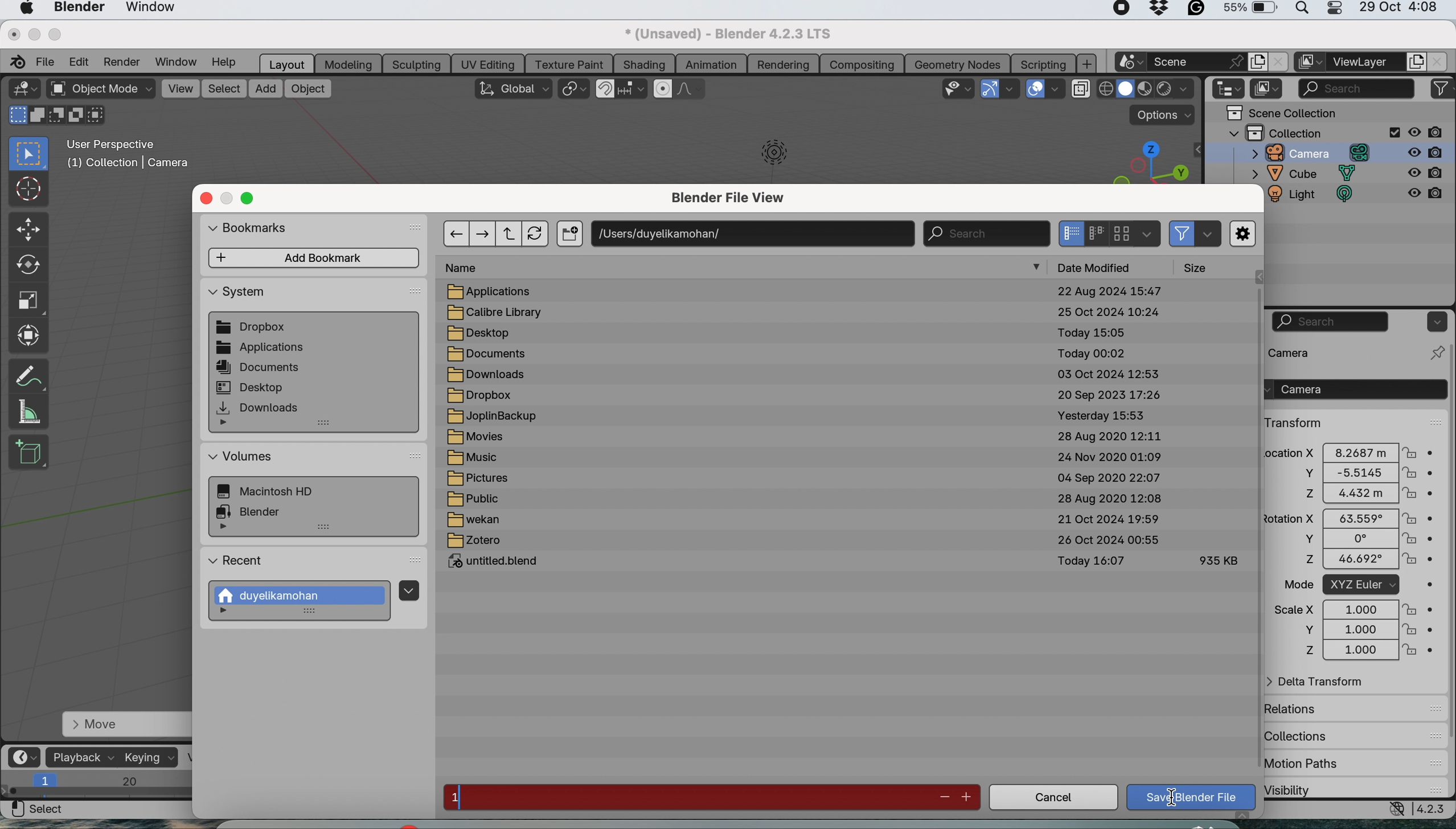 Image resolution: width=1456 pixels, height=829 pixels. Describe the element at coordinates (1354, 389) in the screenshot. I see `camera` at that location.